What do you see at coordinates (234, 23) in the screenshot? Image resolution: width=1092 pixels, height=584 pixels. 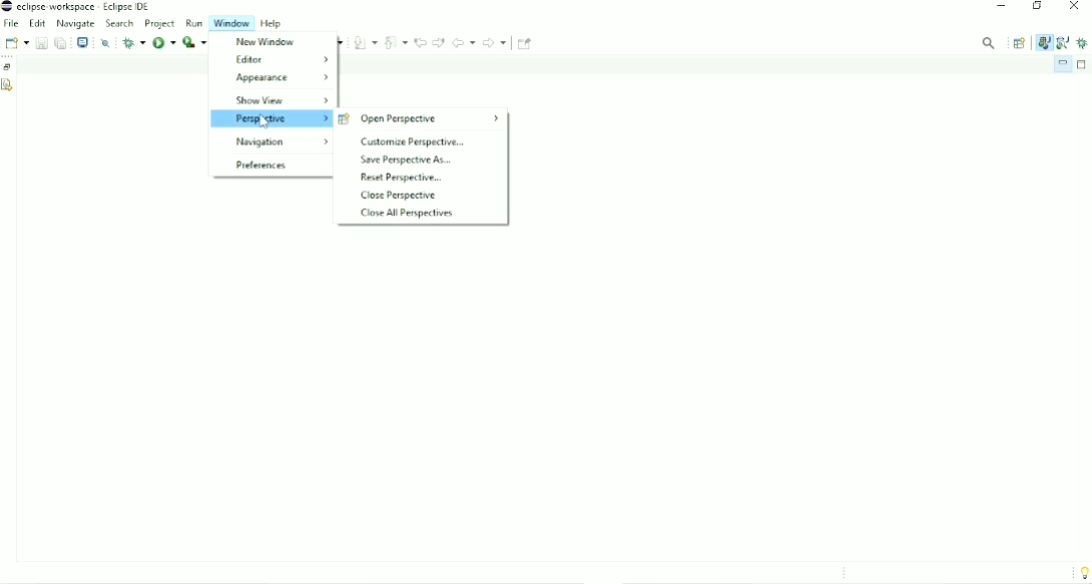 I see `Window` at bounding box center [234, 23].